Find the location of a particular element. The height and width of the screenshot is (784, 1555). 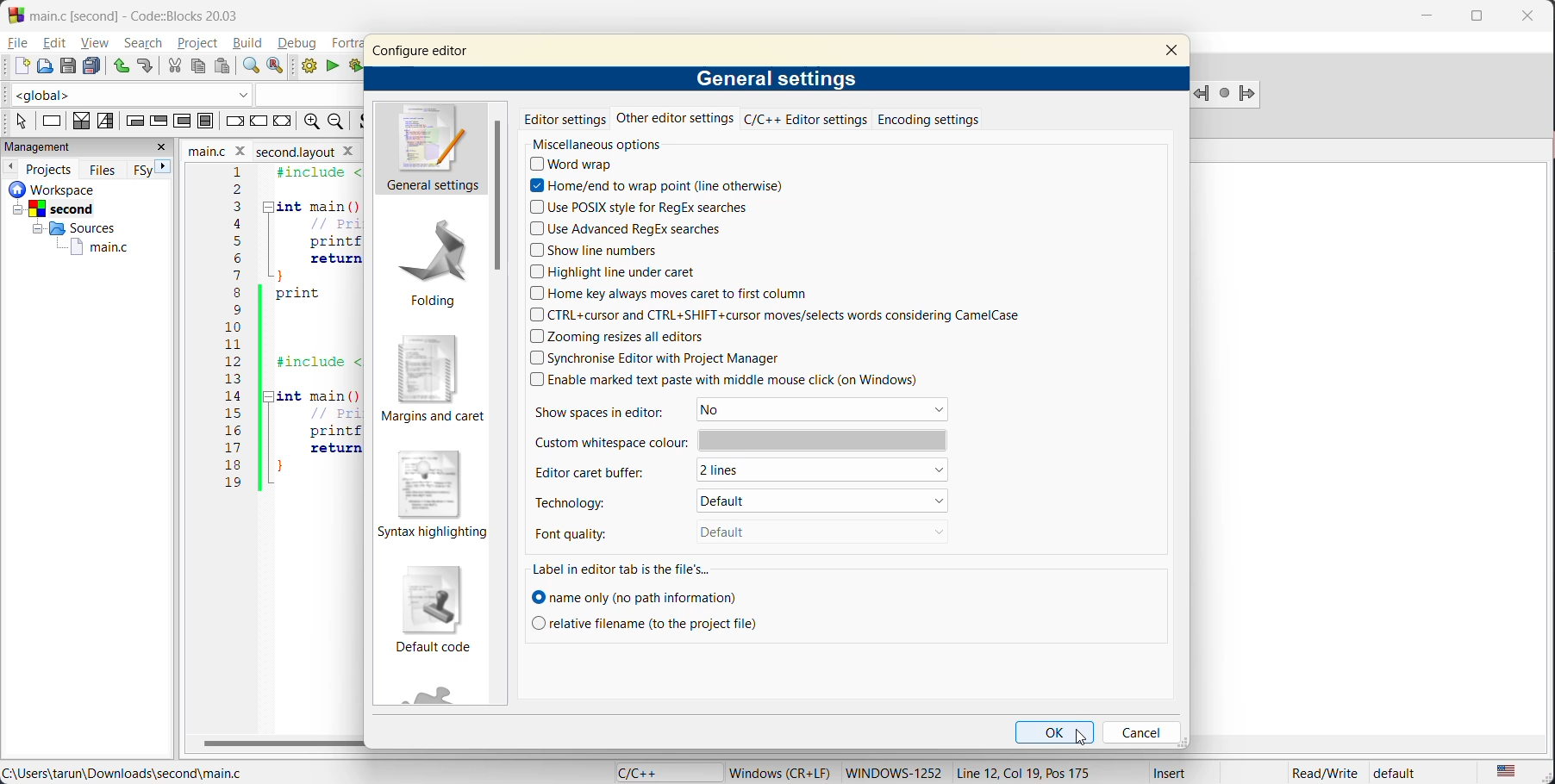

management is located at coordinates (66, 146).